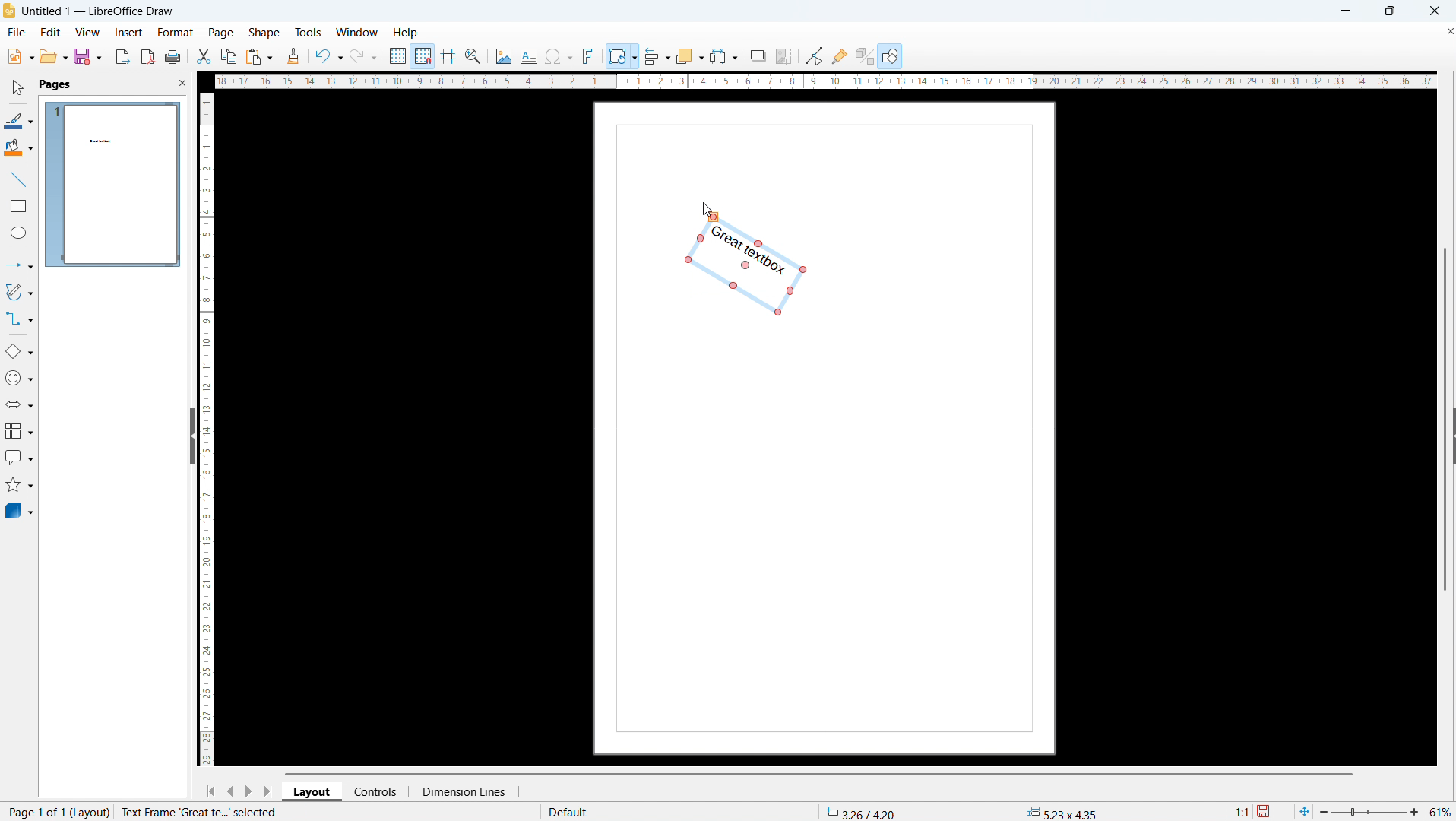  Describe the element at coordinates (818, 773) in the screenshot. I see `horizontal scroll bar ` at that location.